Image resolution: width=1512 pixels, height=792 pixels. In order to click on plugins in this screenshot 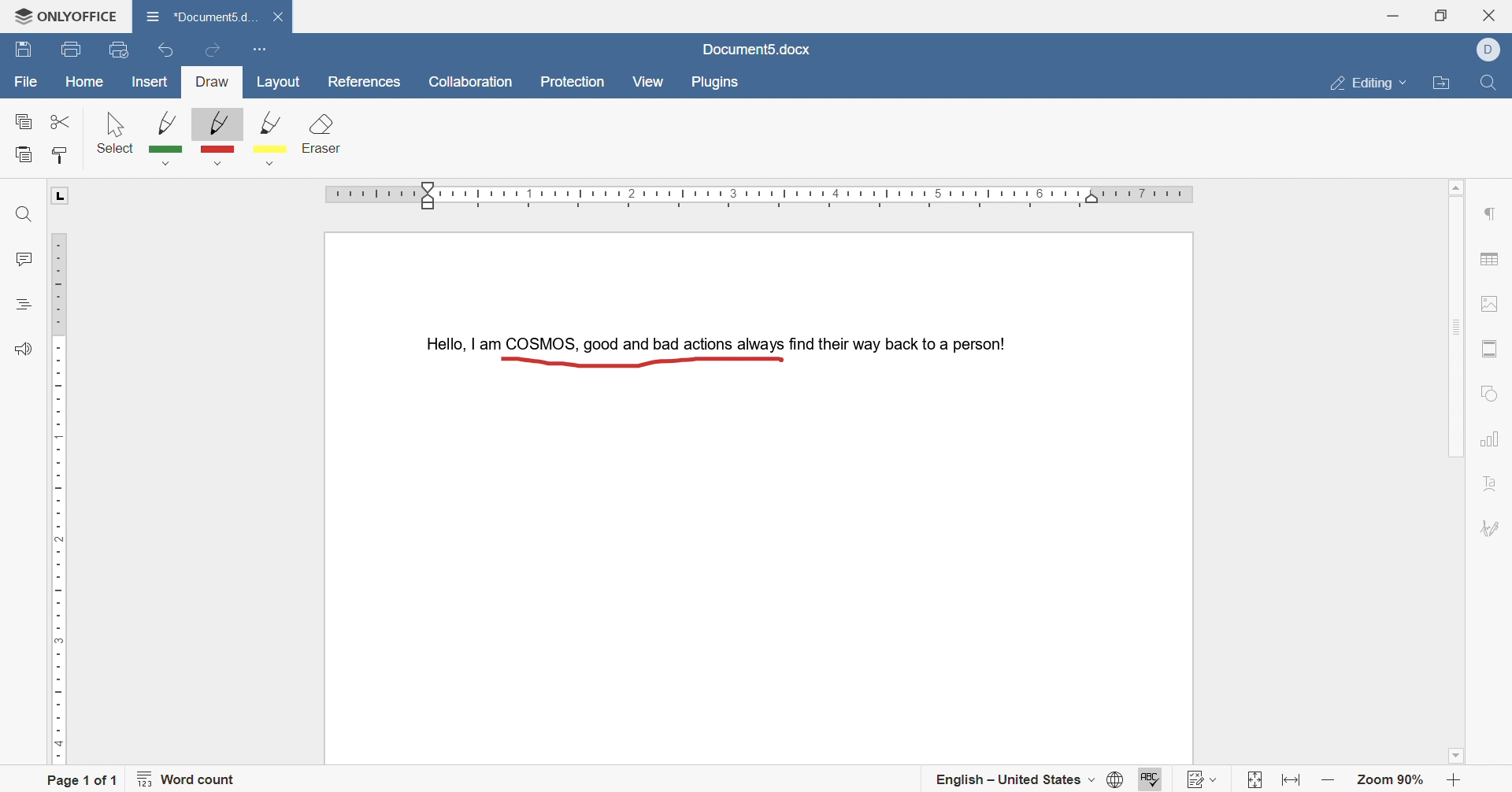, I will do `click(716, 83)`.